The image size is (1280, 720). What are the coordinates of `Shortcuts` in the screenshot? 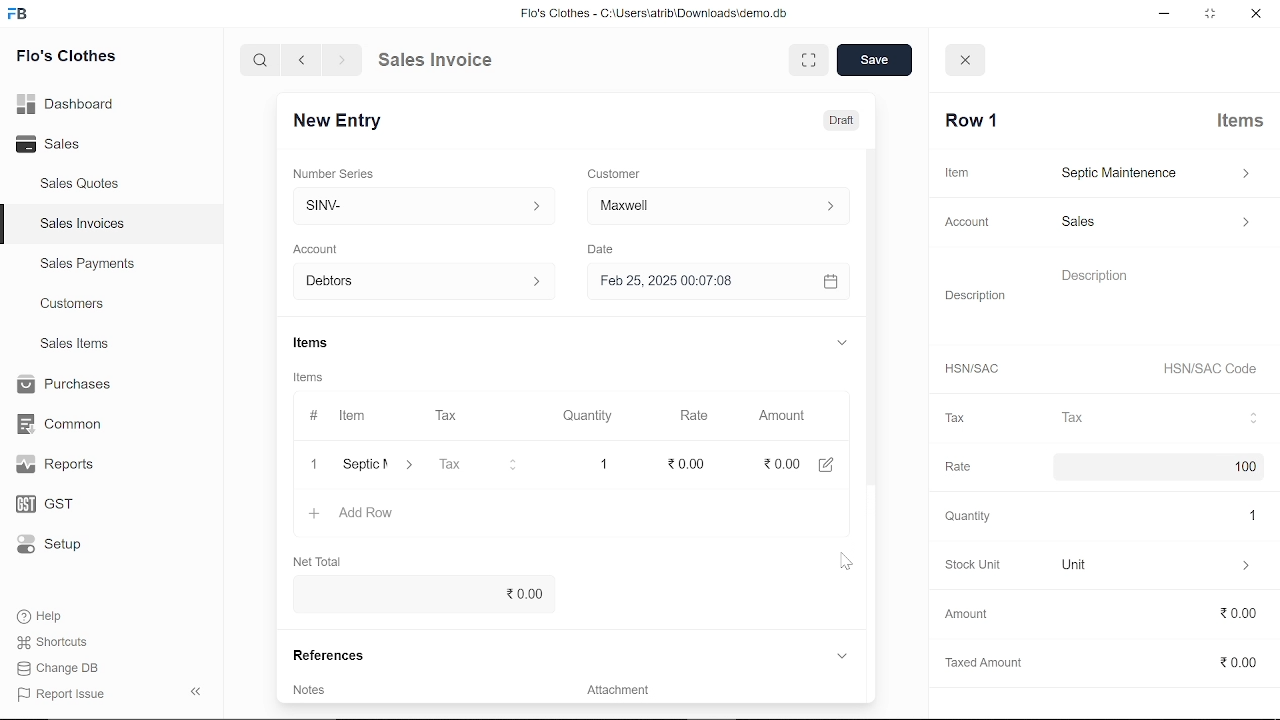 It's located at (54, 642).